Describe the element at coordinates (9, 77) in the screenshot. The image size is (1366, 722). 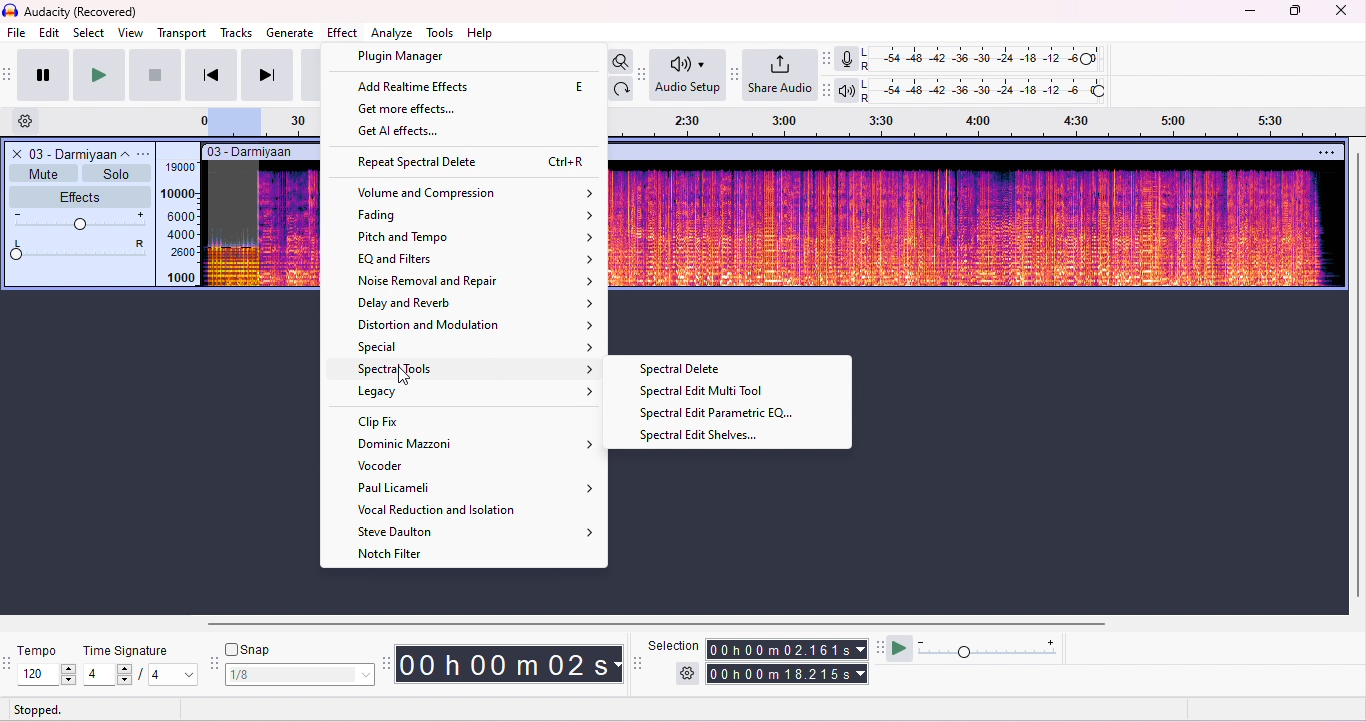
I see `transport toolbar` at that location.